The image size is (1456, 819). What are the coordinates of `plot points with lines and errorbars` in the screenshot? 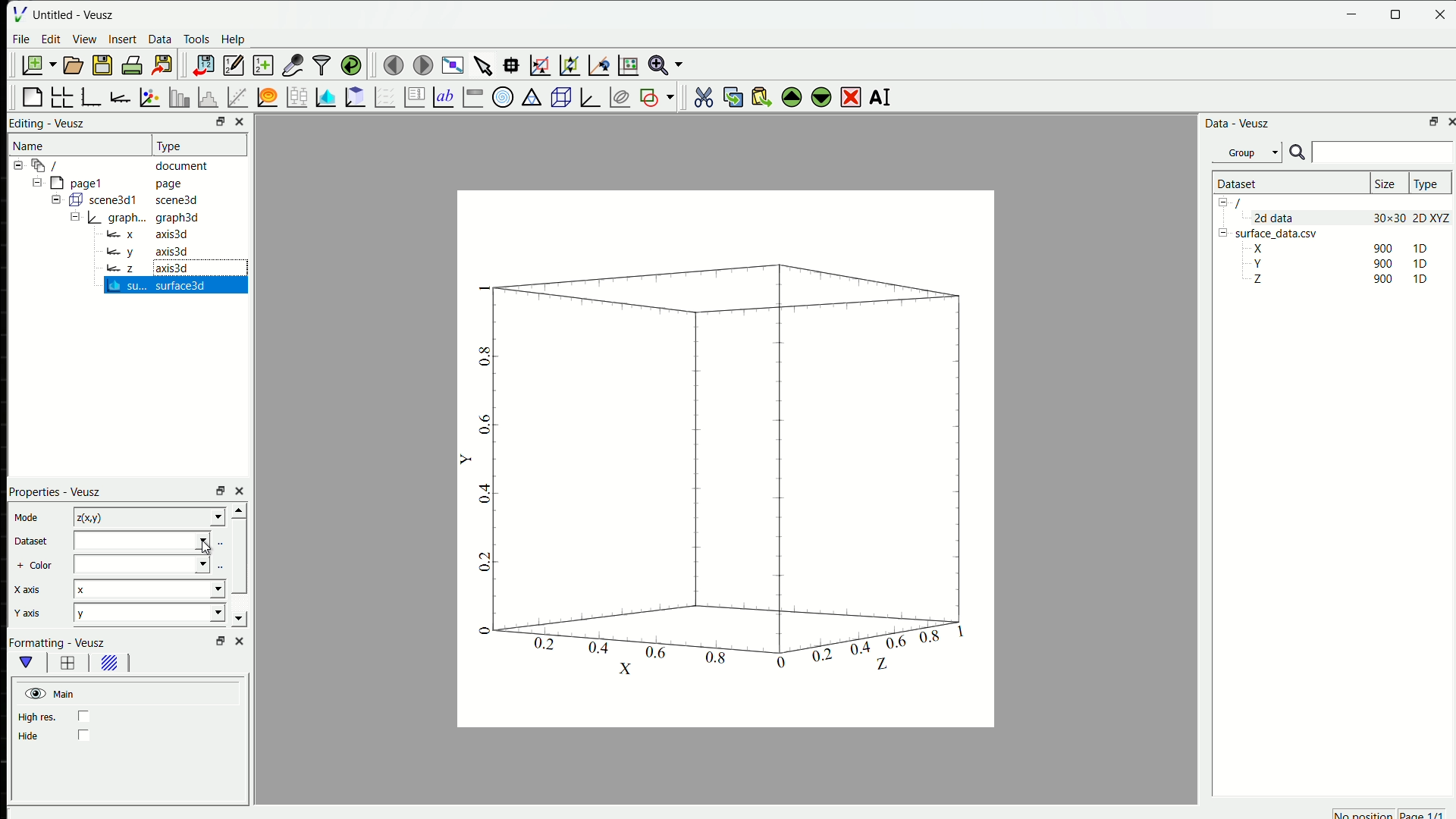 It's located at (152, 97).